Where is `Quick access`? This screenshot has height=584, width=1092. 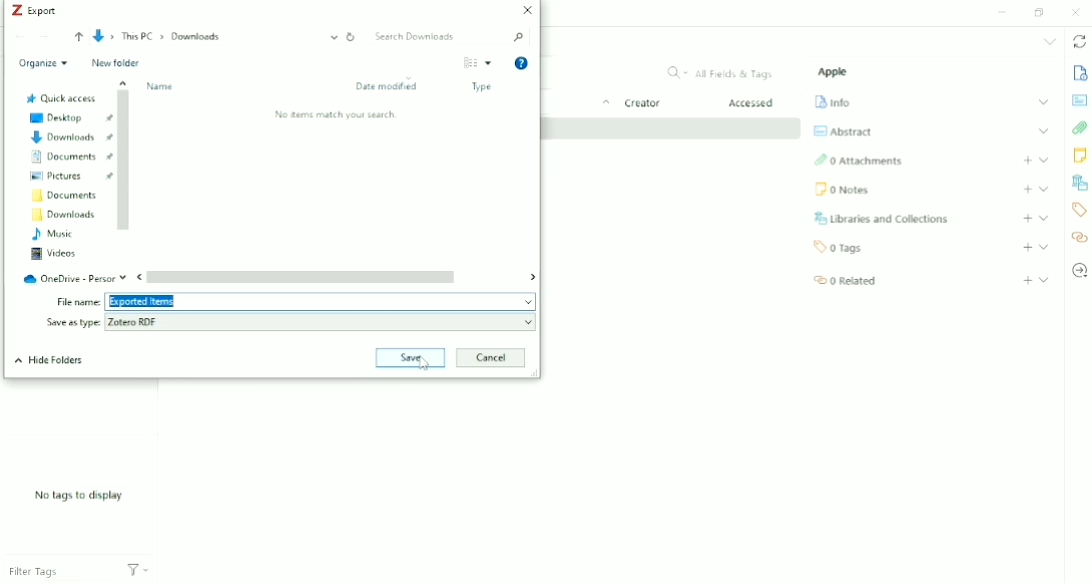 Quick access is located at coordinates (60, 98).